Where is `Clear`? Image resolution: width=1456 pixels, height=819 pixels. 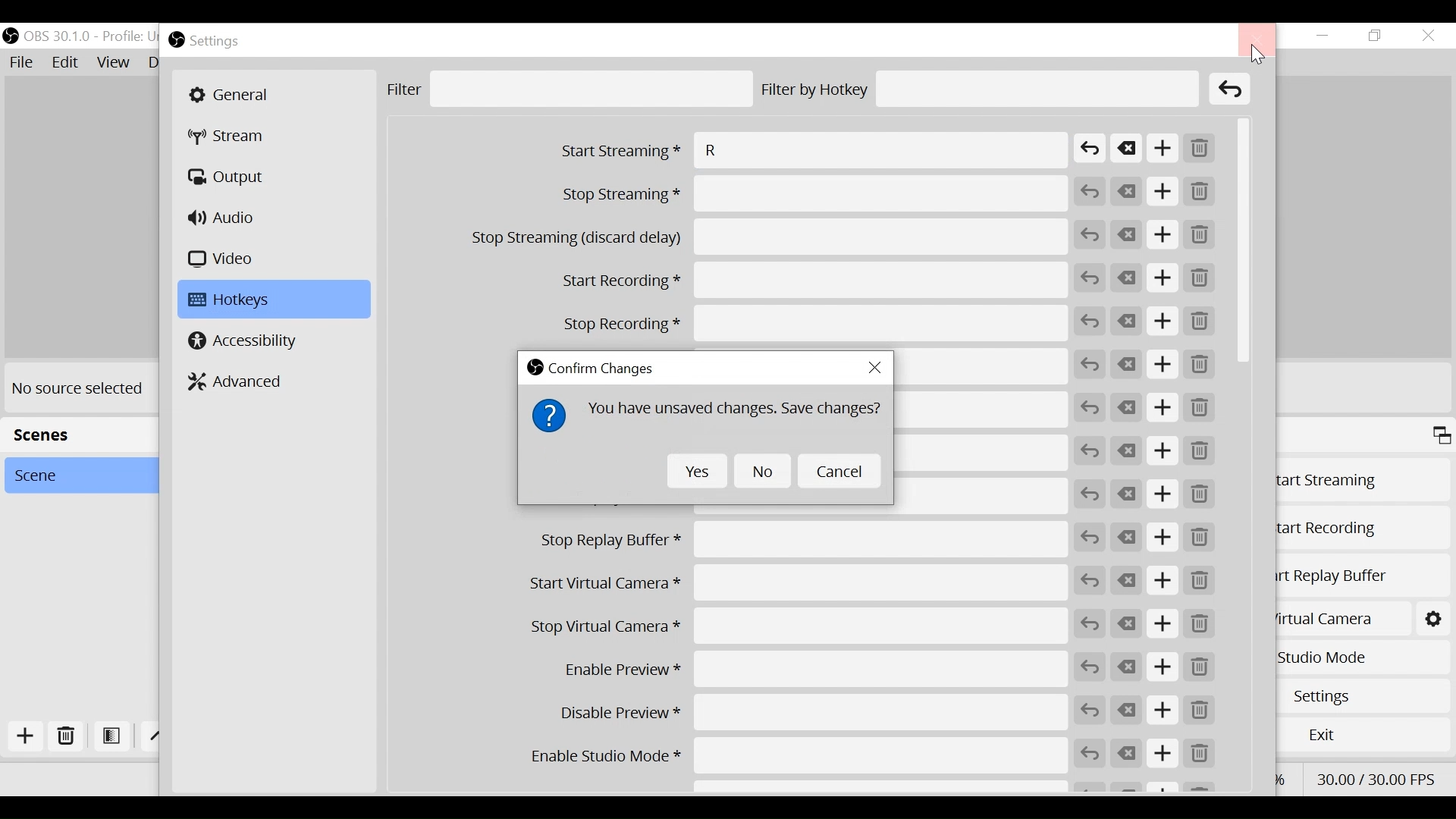
Clear is located at coordinates (1127, 278).